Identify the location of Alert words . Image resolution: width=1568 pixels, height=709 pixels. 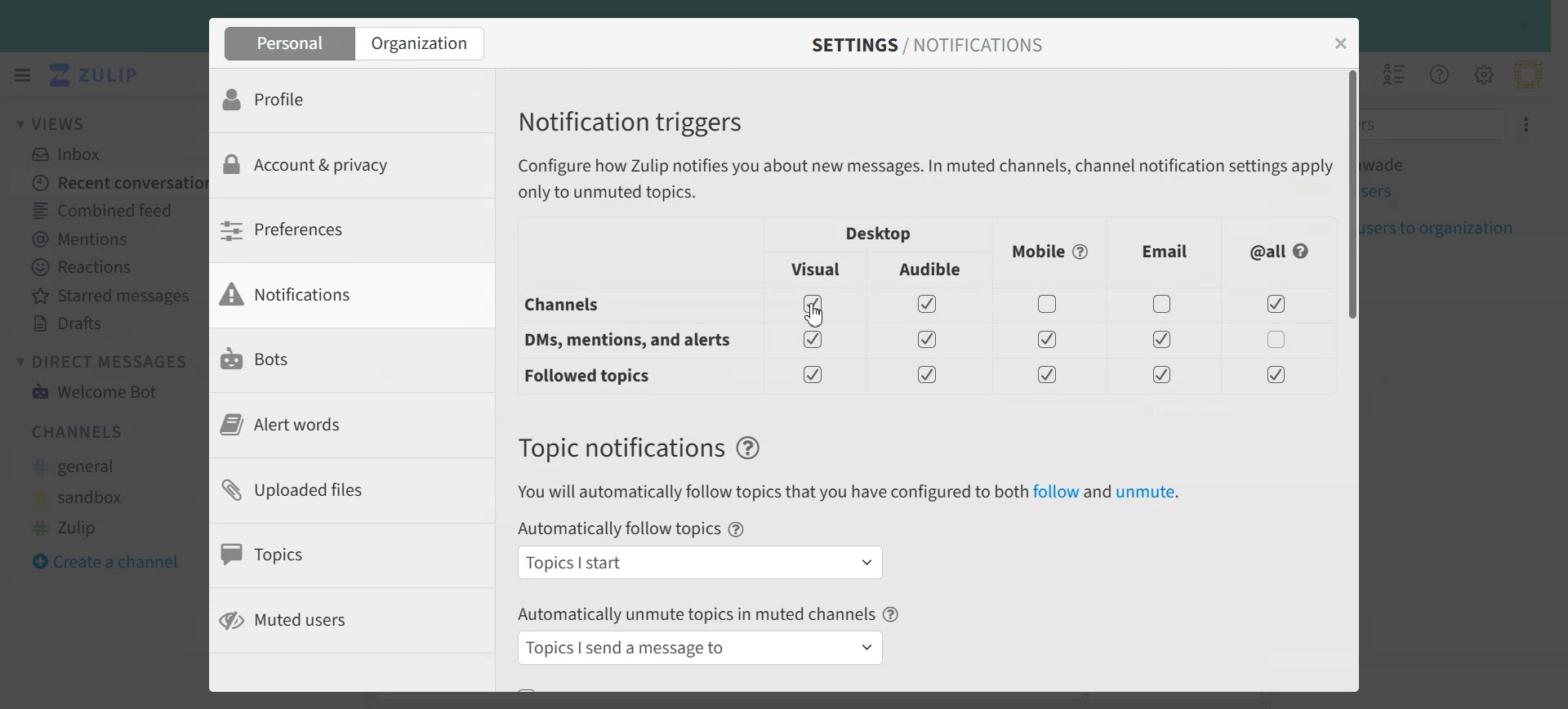
(329, 425).